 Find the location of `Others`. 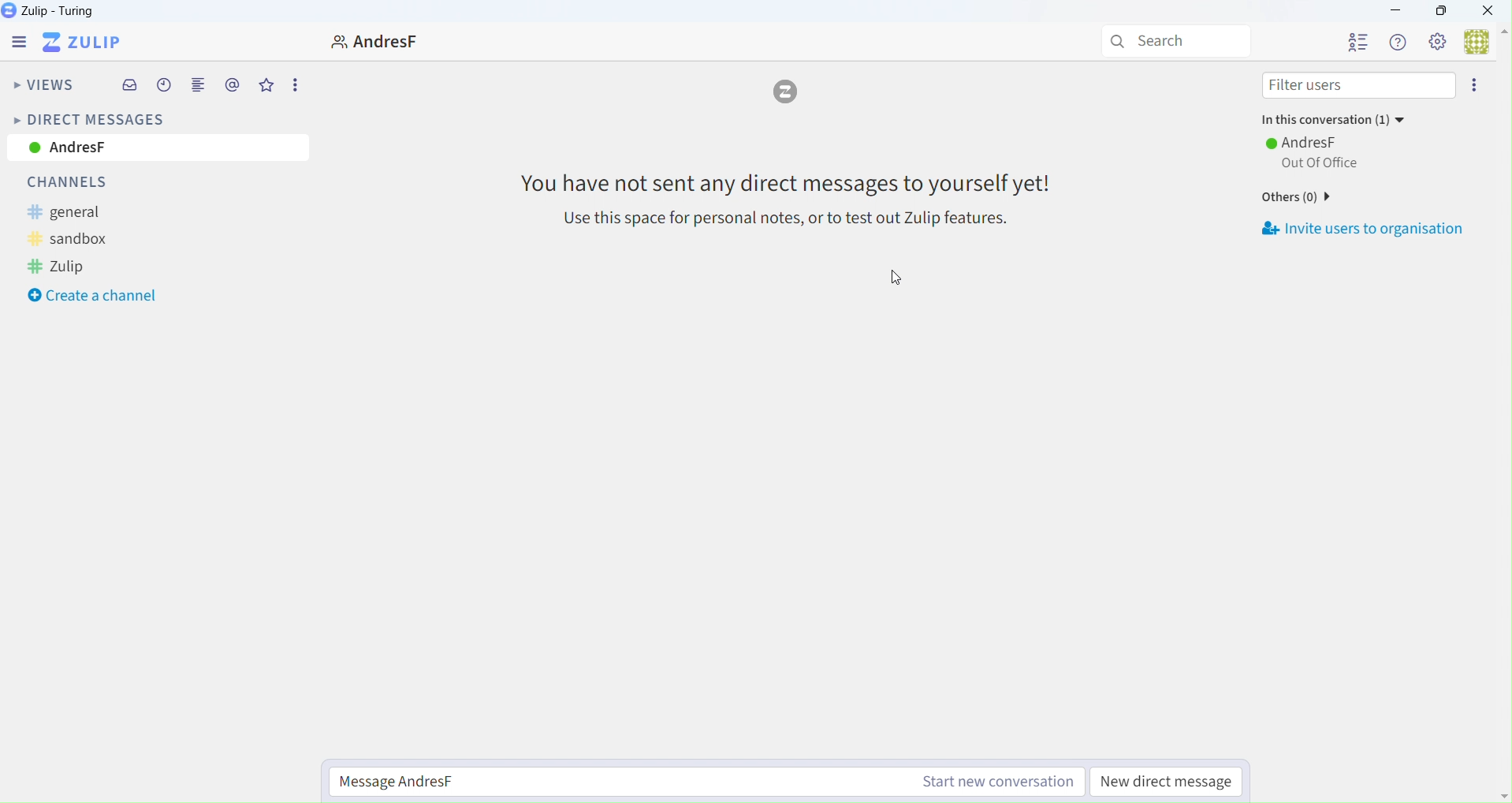

Others is located at coordinates (1291, 195).